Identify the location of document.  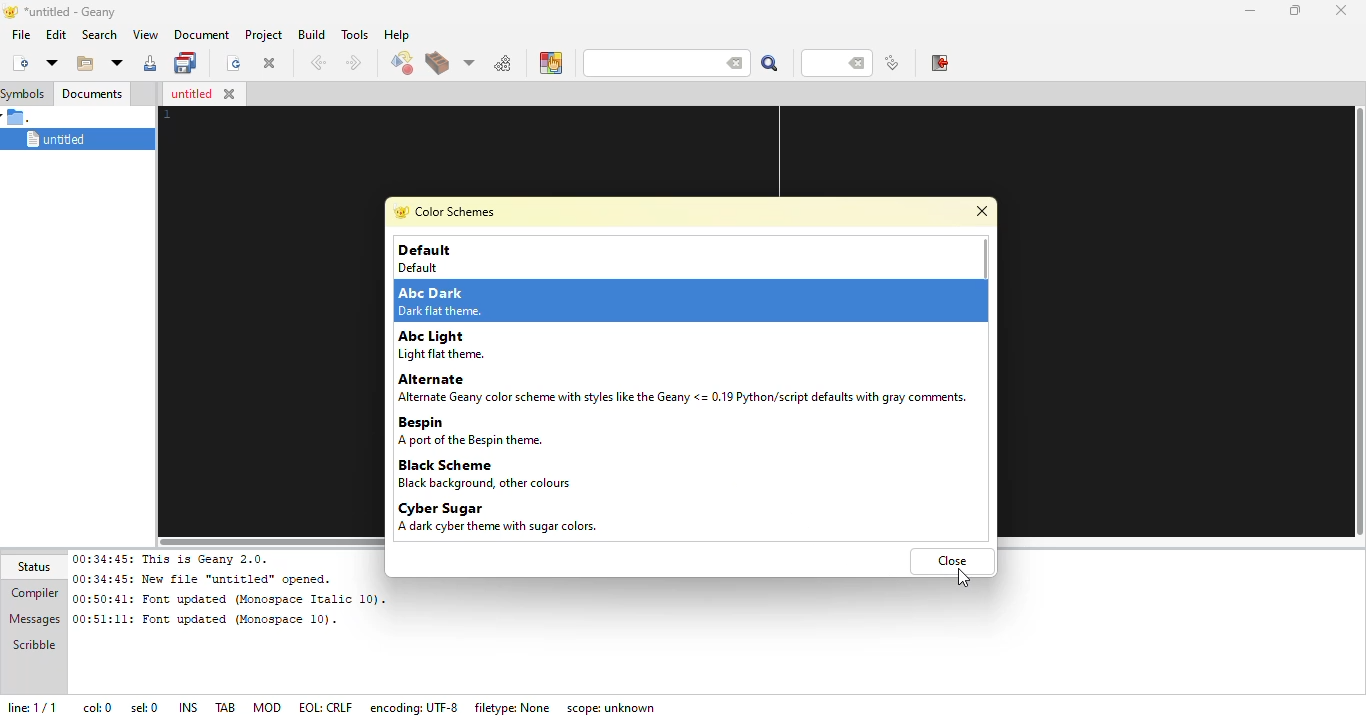
(199, 35).